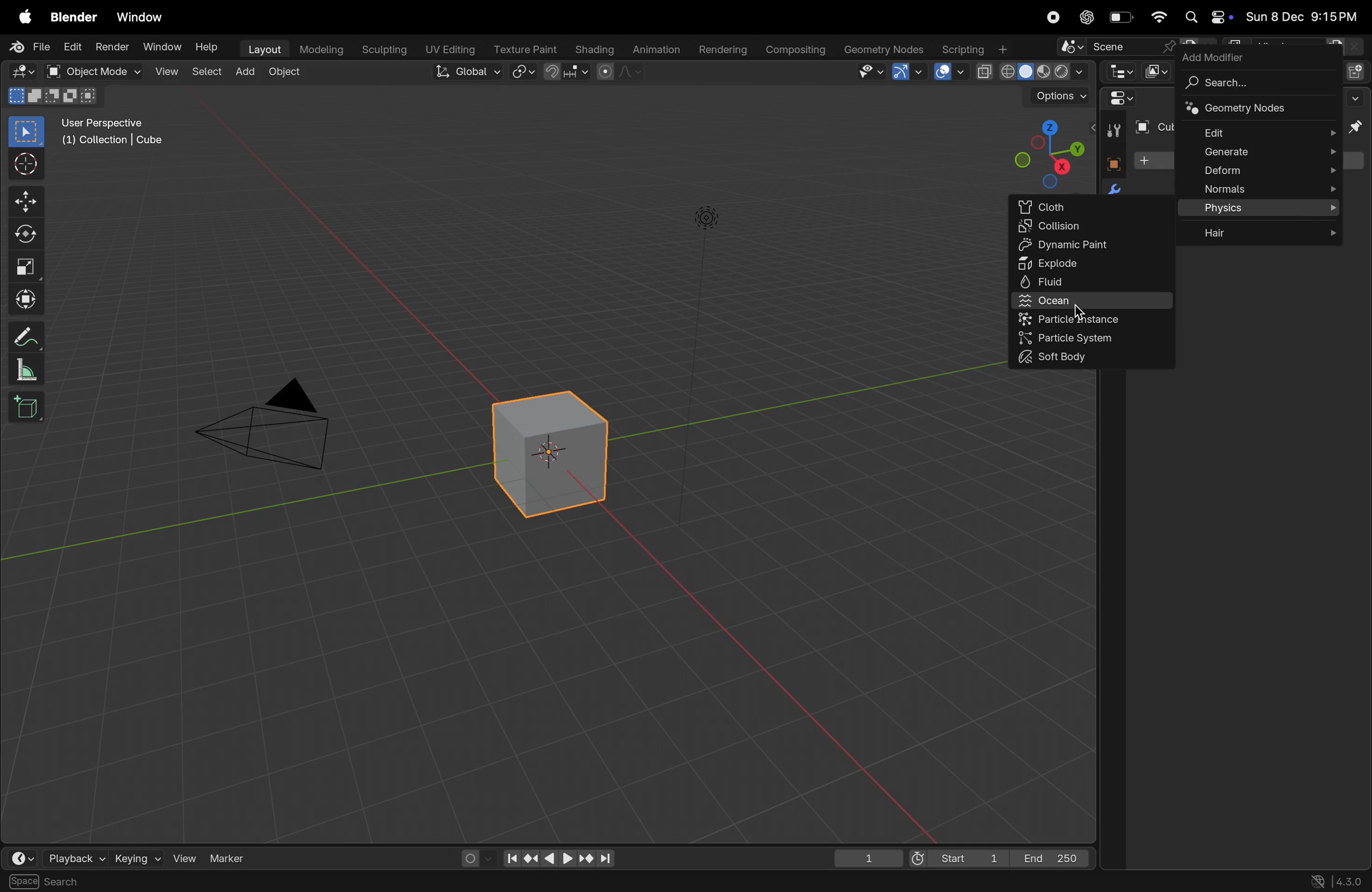  What do you see at coordinates (52, 96) in the screenshot?
I see `modes` at bounding box center [52, 96].